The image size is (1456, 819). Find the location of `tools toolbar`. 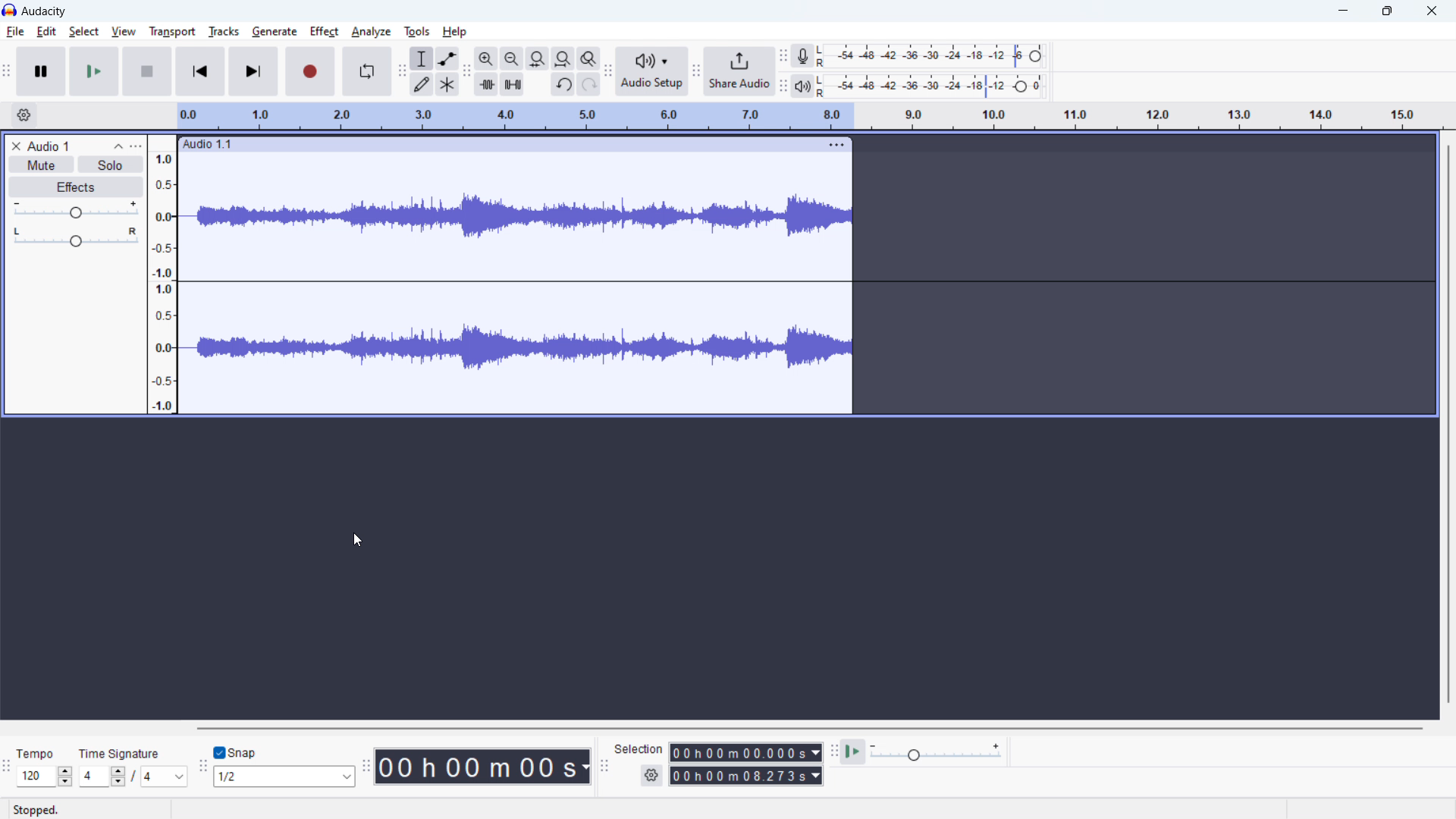

tools toolbar is located at coordinates (401, 71).